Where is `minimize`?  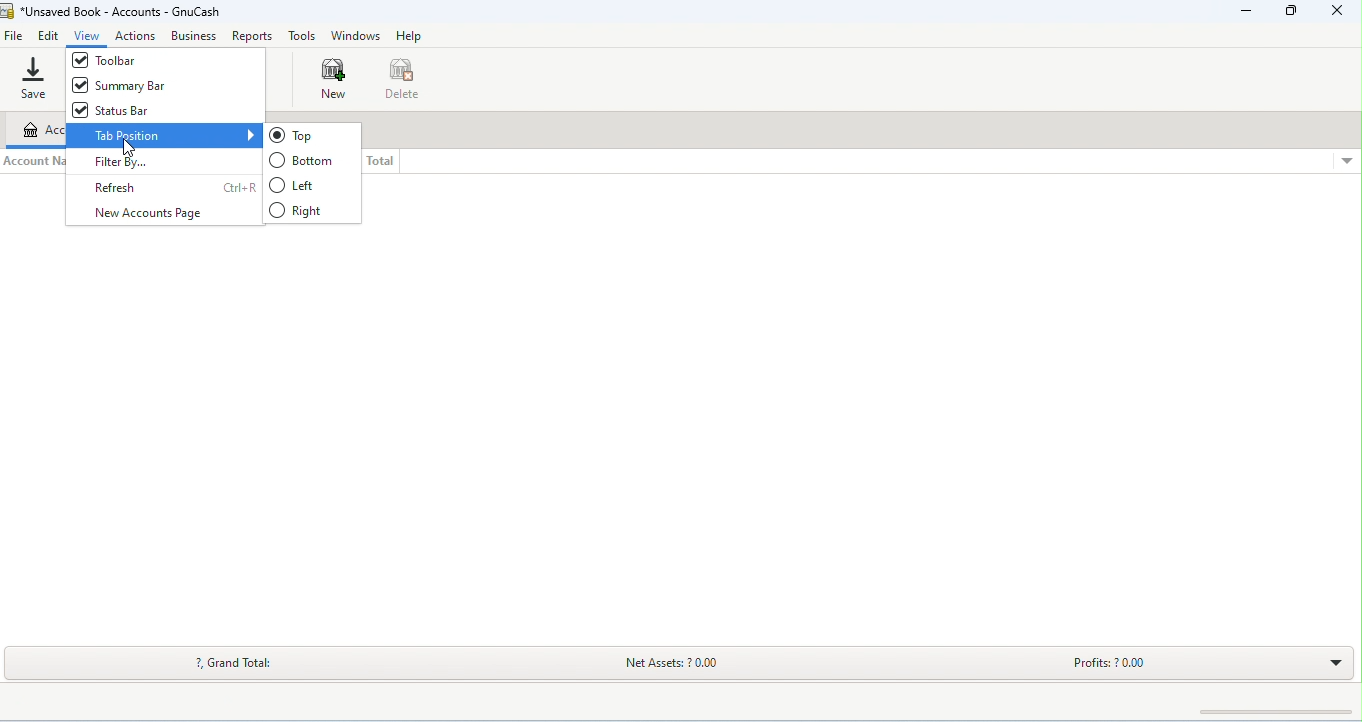 minimize is located at coordinates (1247, 11).